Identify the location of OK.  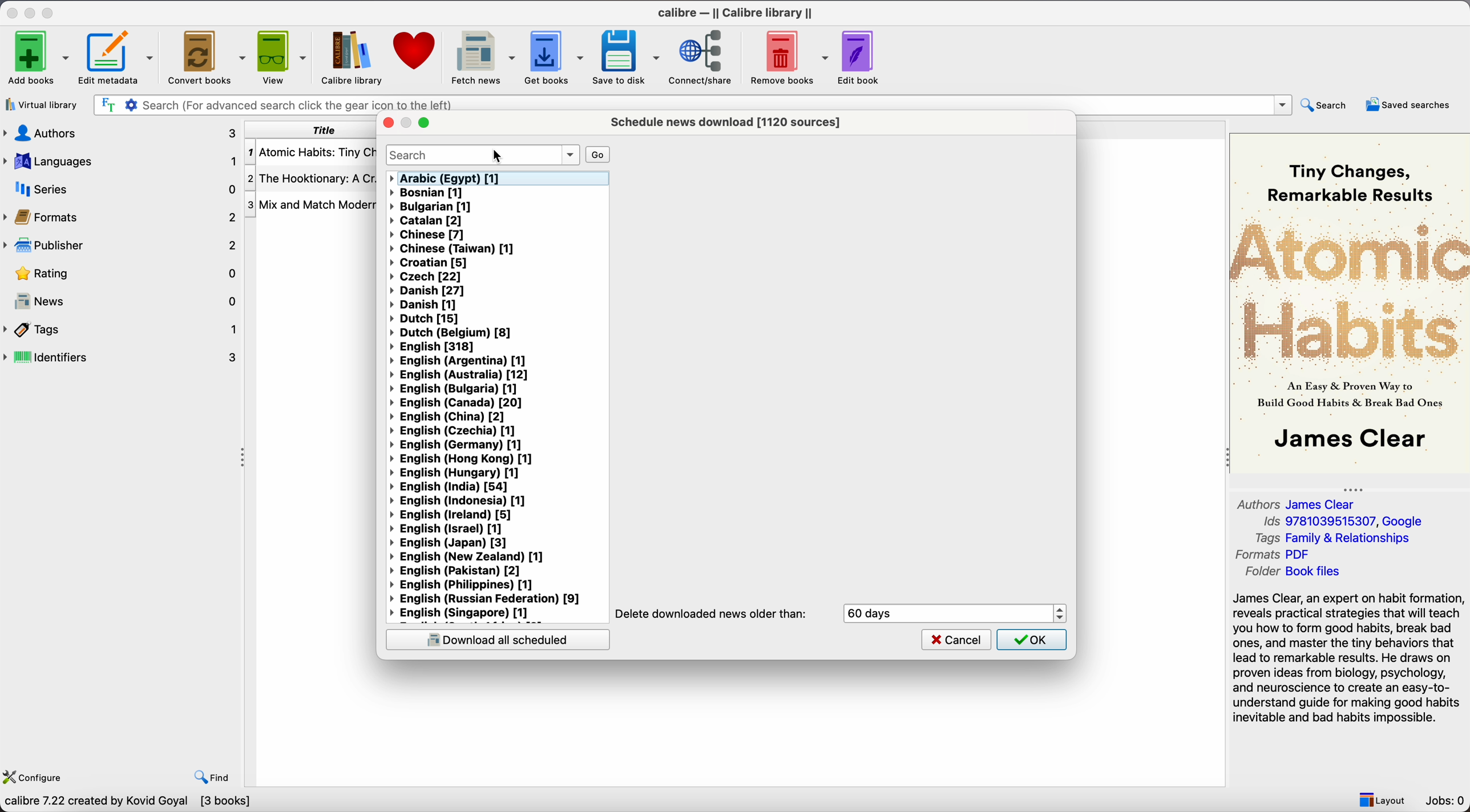
(1032, 640).